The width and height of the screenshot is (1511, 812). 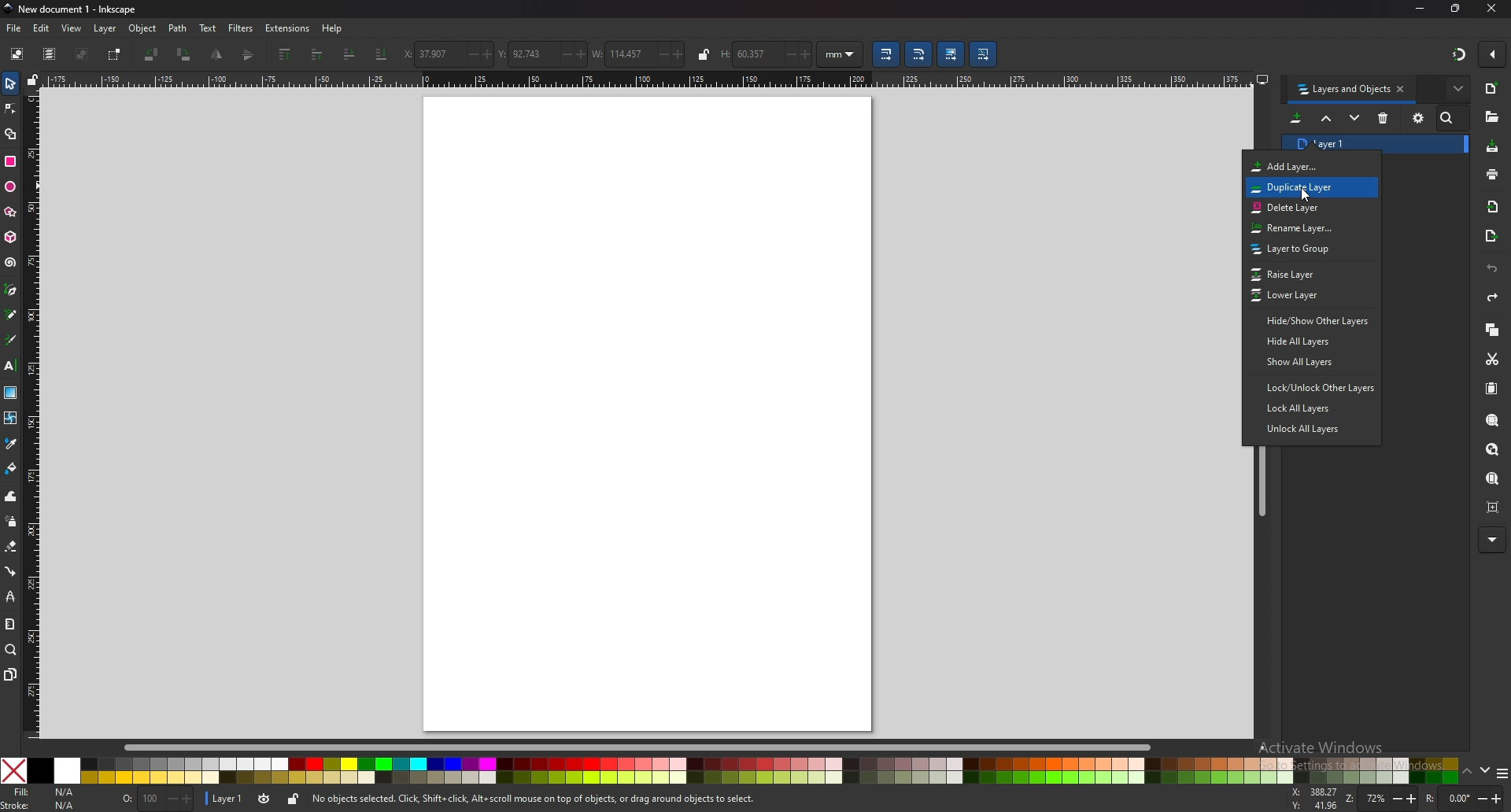 I want to click on connector, so click(x=13, y=571).